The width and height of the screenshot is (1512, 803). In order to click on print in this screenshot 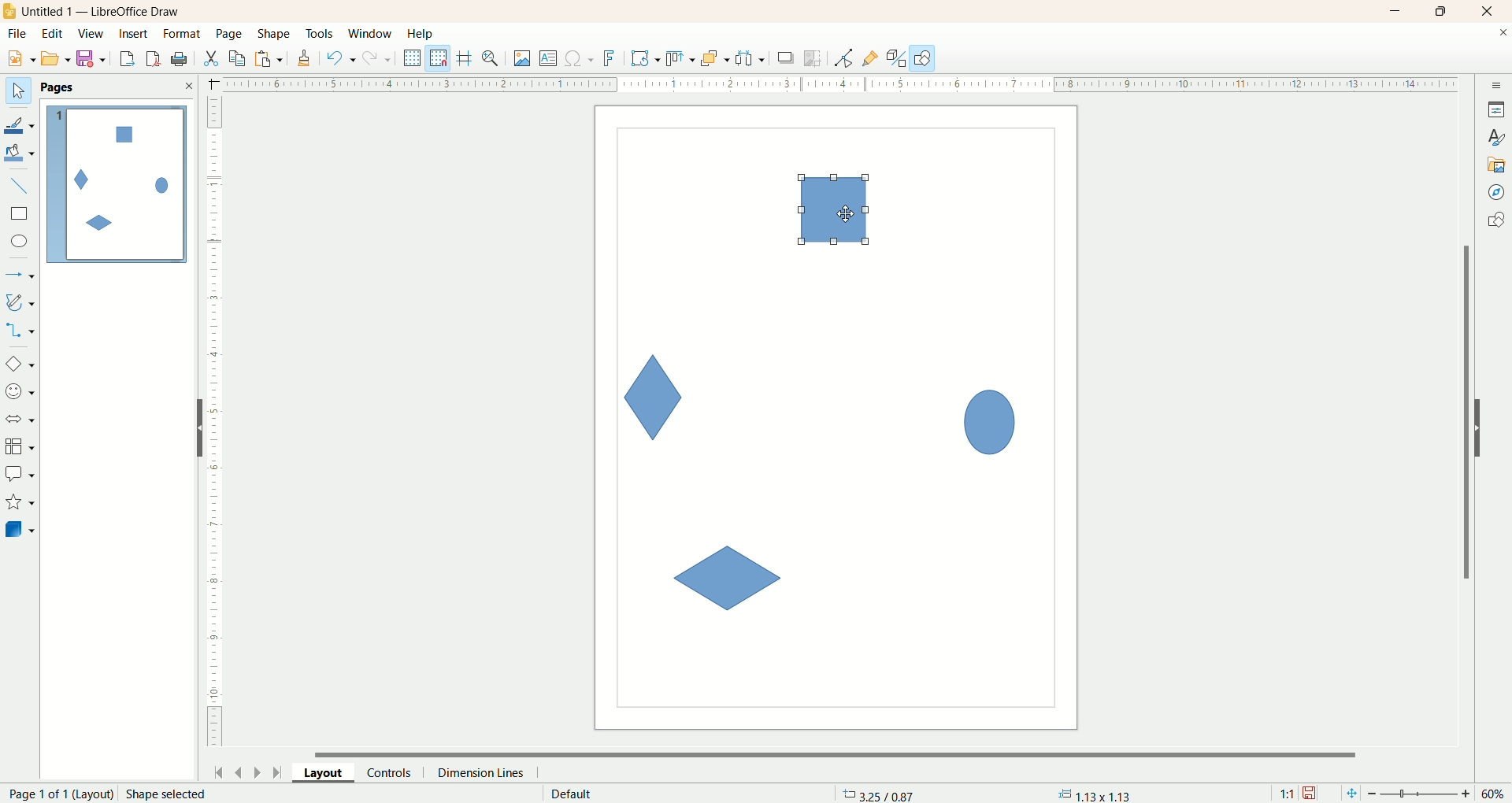, I will do `click(155, 58)`.